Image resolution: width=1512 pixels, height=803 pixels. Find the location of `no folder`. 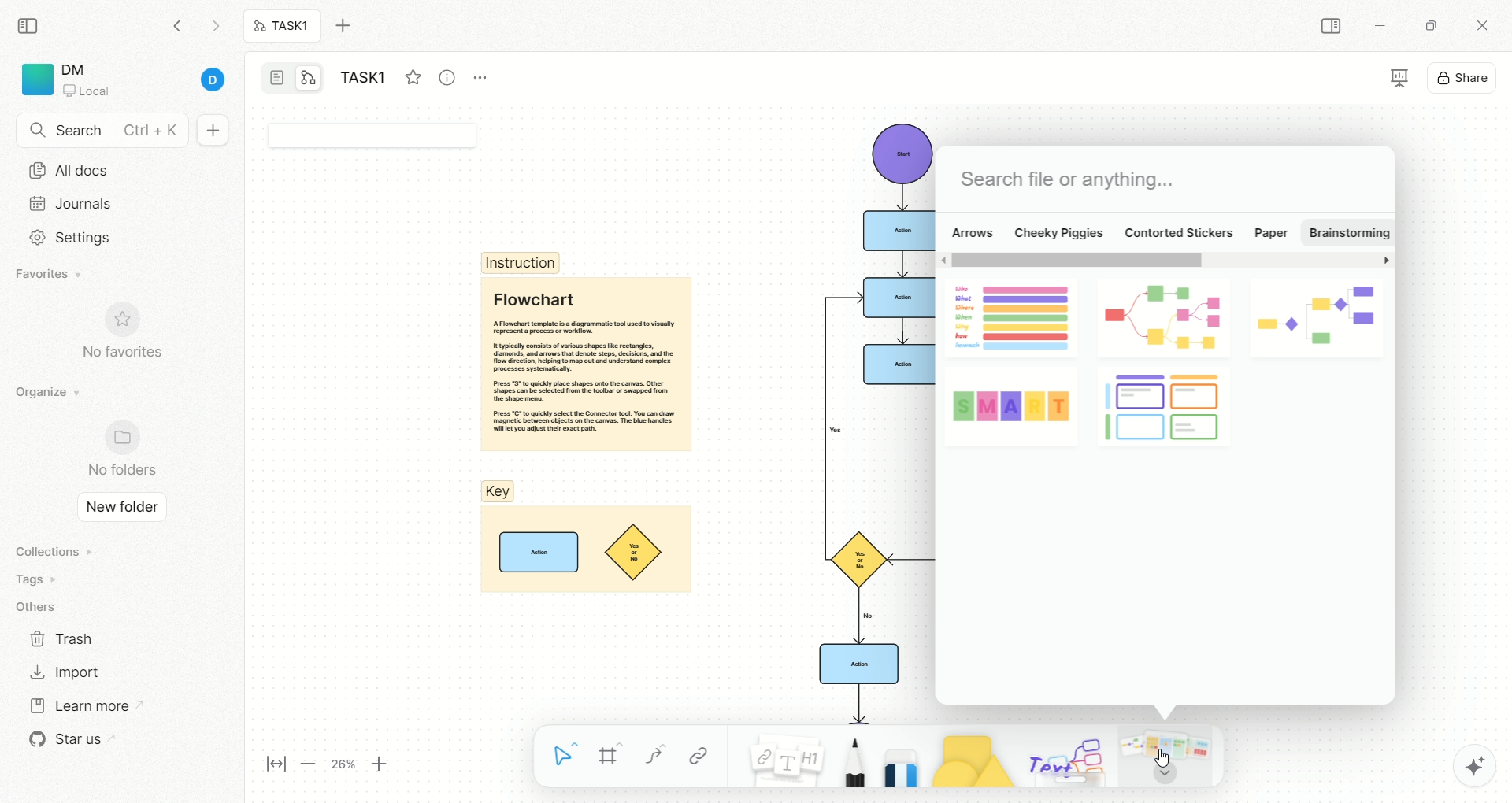

no folder is located at coordinates (115, 450).